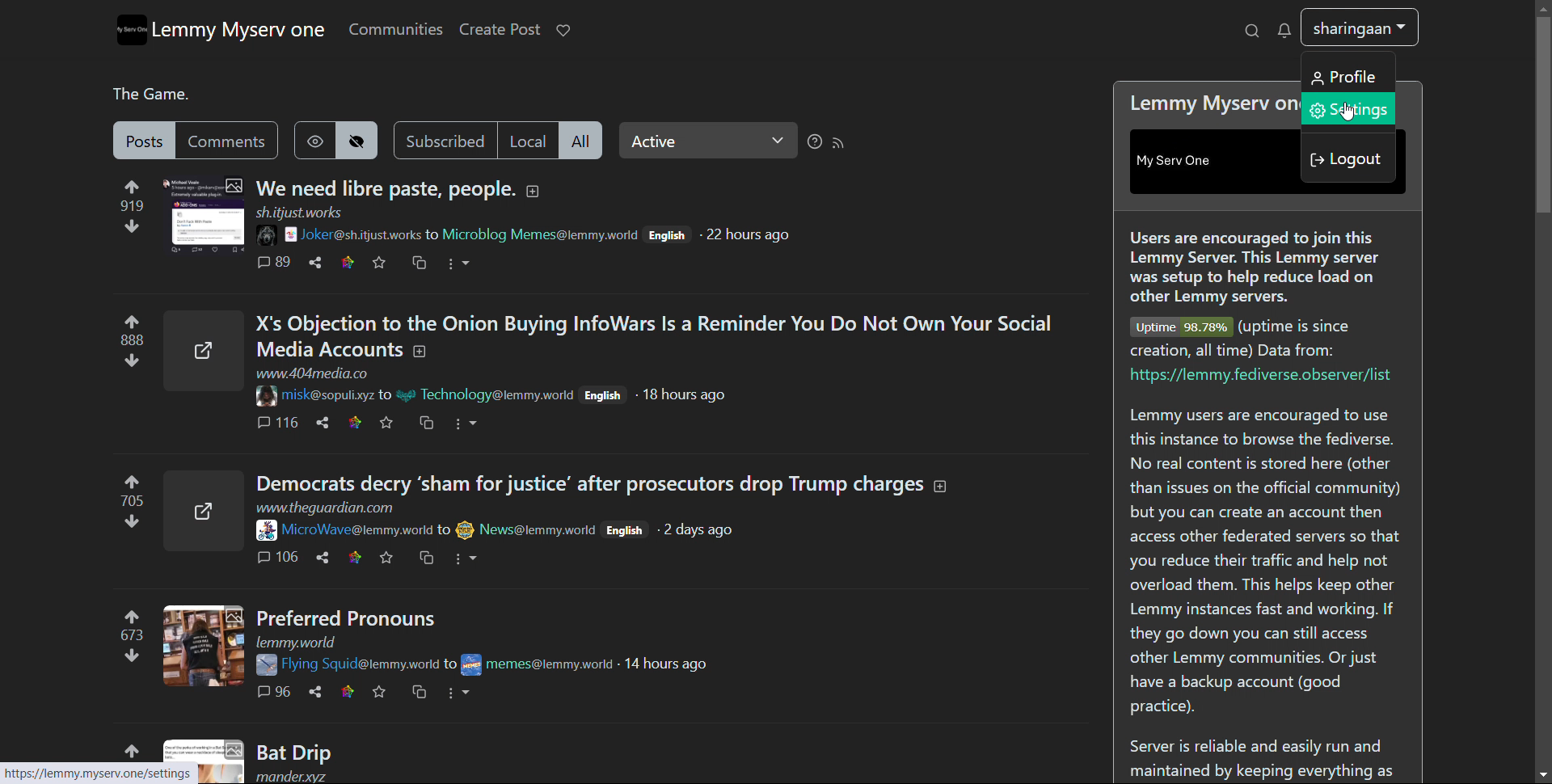 The image size is (1552, 784). What do you see at coordinates (532, 192) in the screenshot?
I see `expand` at bounding box center [532, 192].